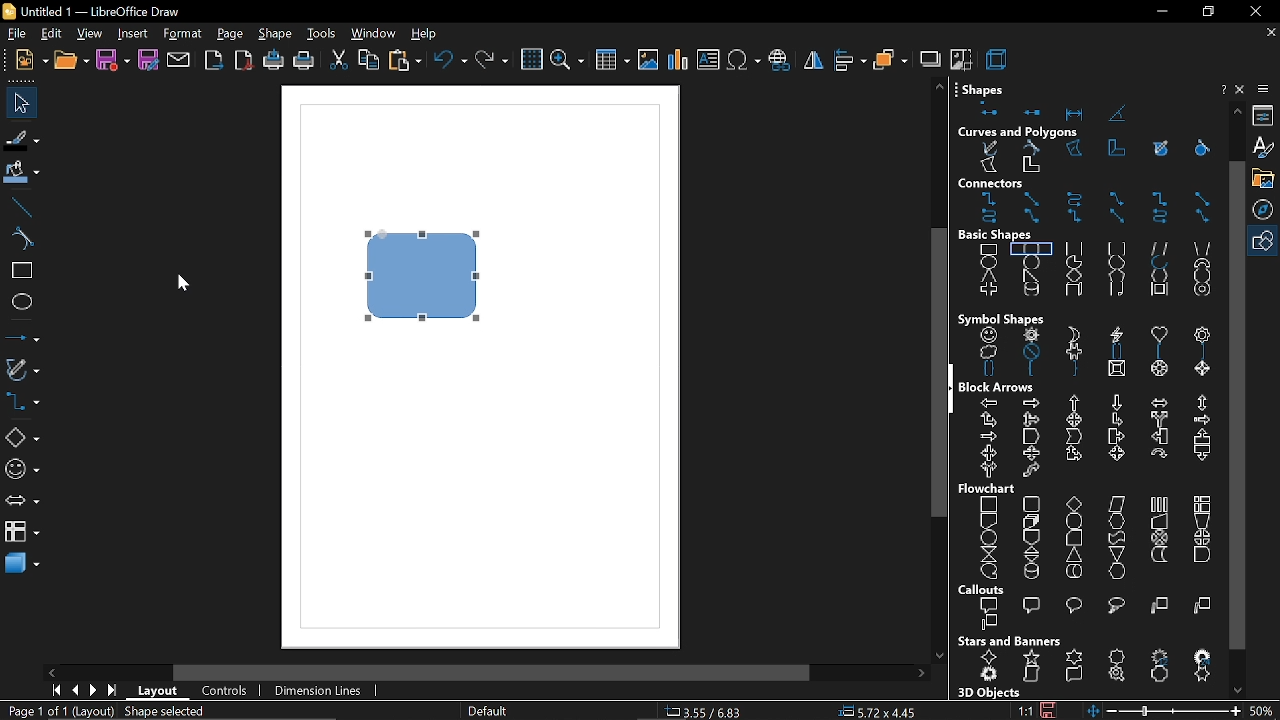 The width and height of the screenshot is (1280, 720). What do you see at coordinates (277, 35) in the screenshot?
I see `shape` at bounding box center [277, 35].